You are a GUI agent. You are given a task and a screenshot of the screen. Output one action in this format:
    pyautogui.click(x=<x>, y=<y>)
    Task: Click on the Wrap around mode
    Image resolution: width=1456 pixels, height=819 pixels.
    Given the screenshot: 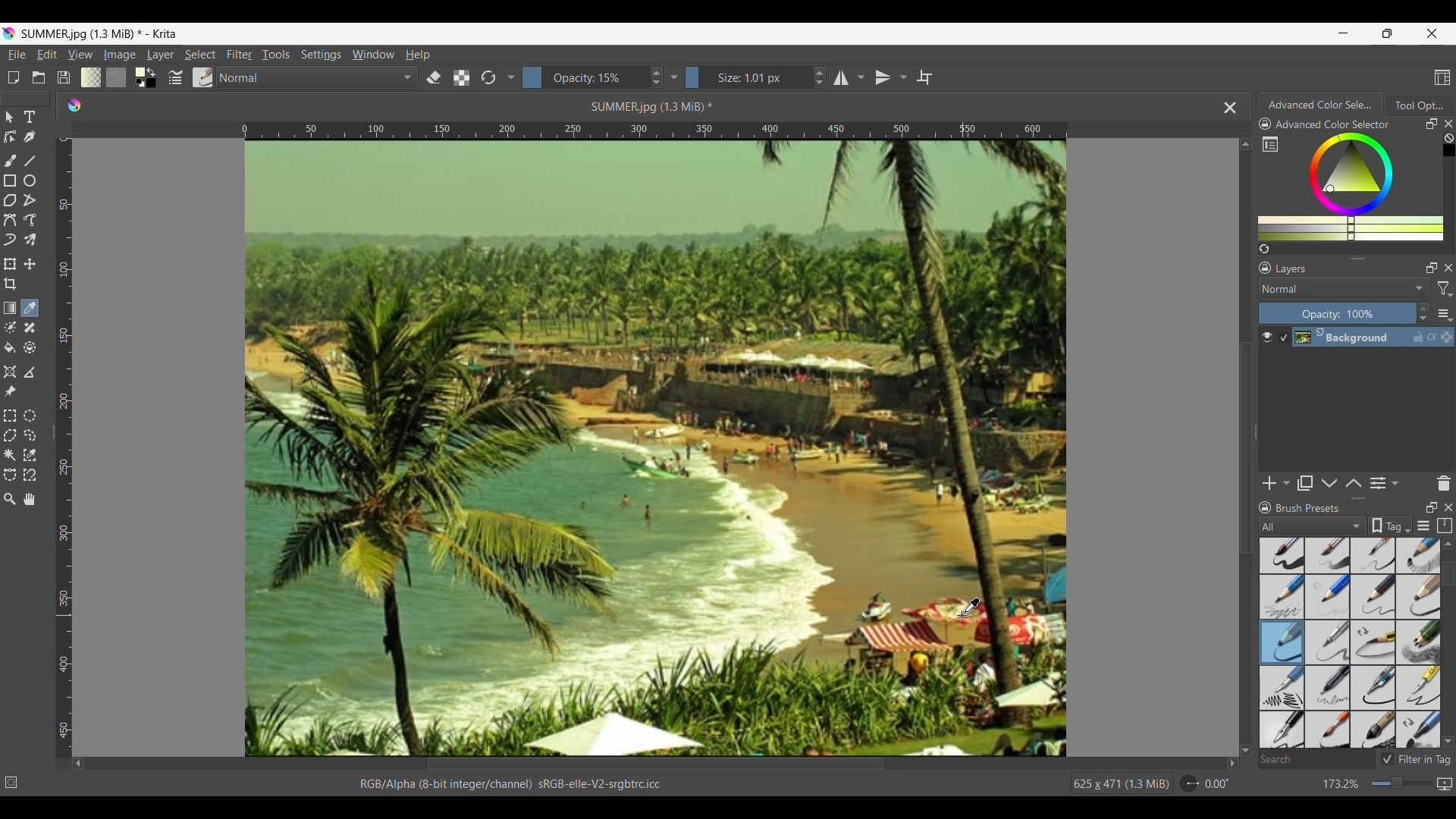 What is the action you would take?
    pyautogui.click(x=924, y=77)
    